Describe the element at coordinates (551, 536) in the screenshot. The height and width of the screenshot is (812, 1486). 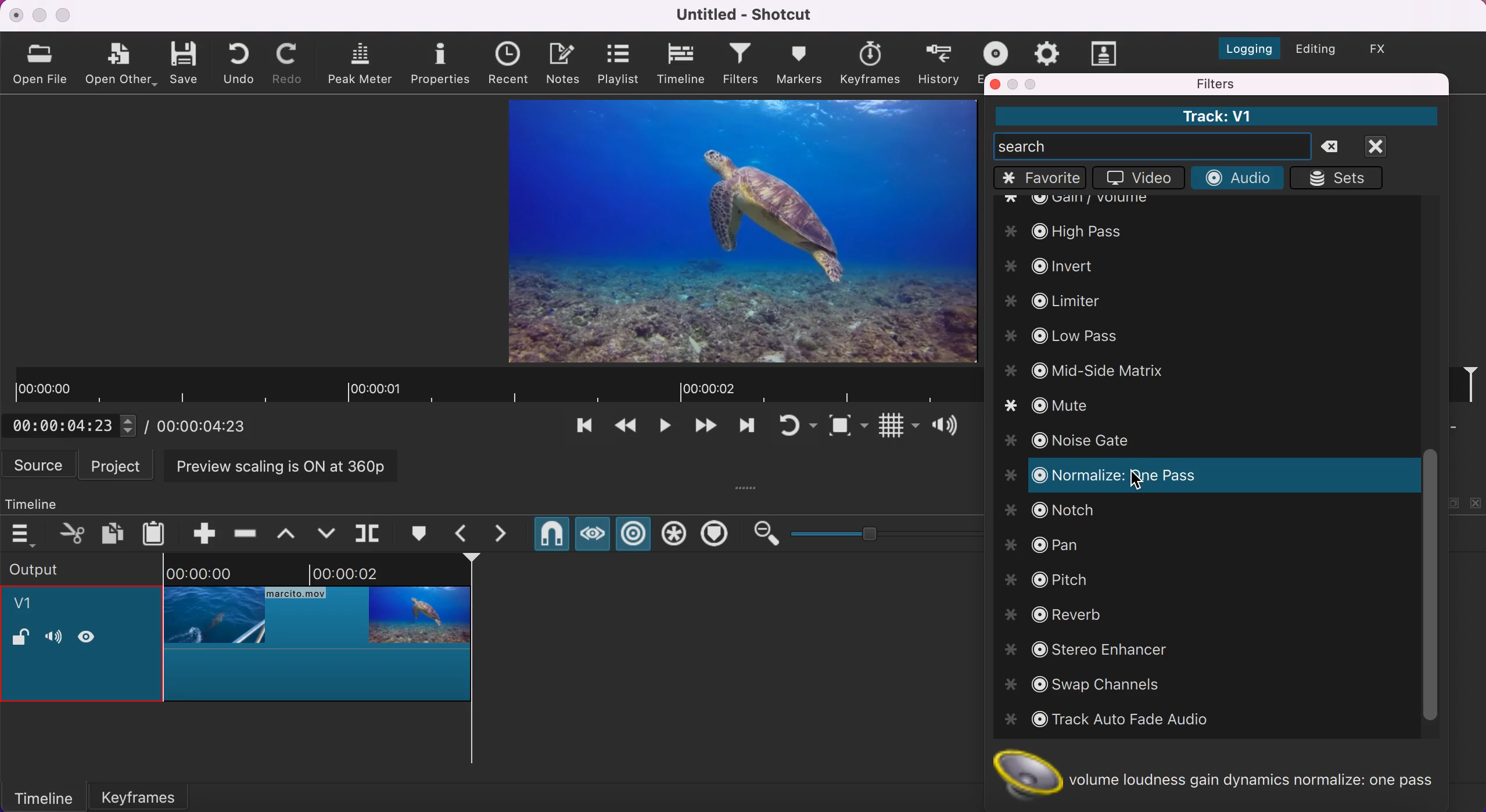
I see `snap` at that location.